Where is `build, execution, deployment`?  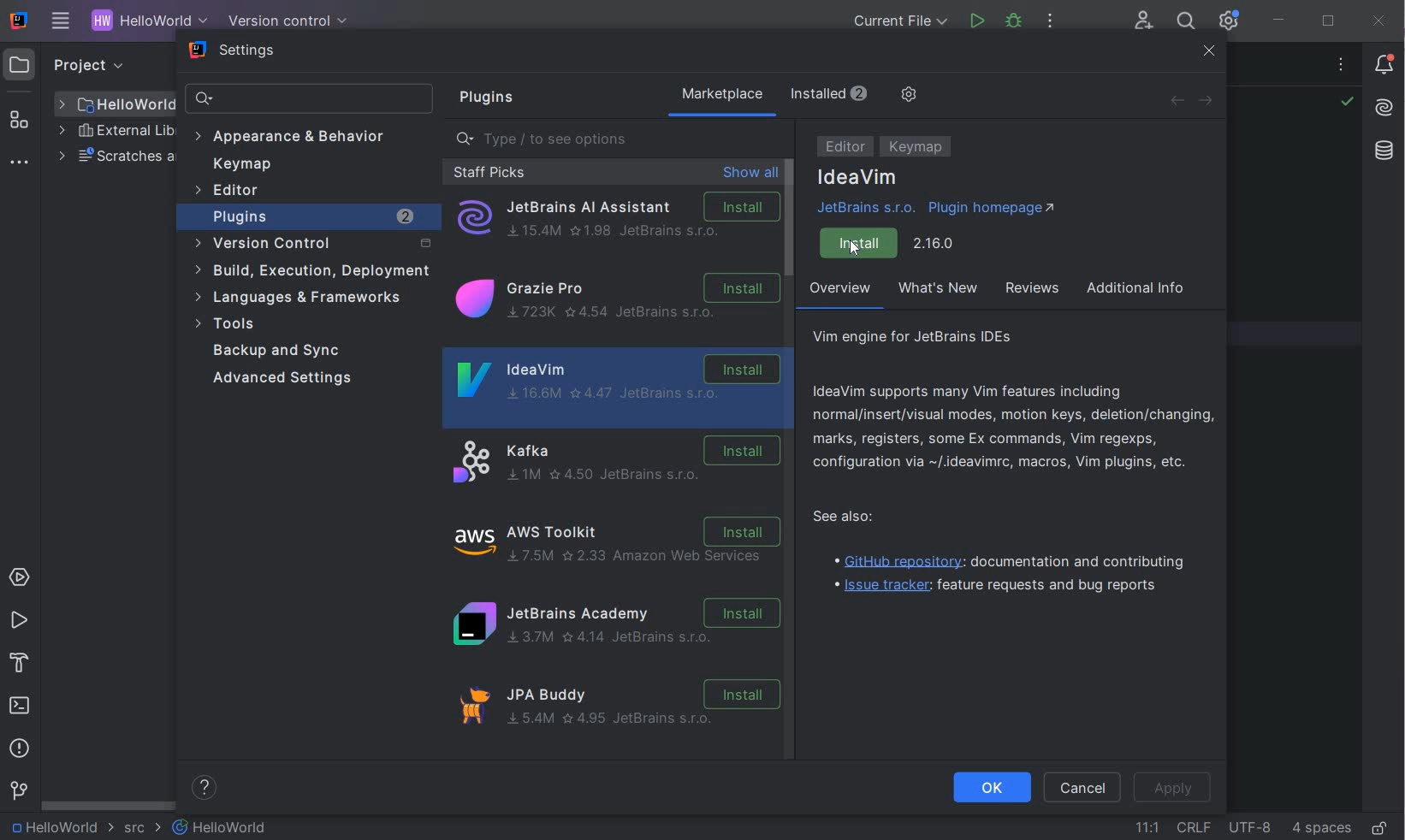 build, execution, deployment is located at coordinates (311, 270).